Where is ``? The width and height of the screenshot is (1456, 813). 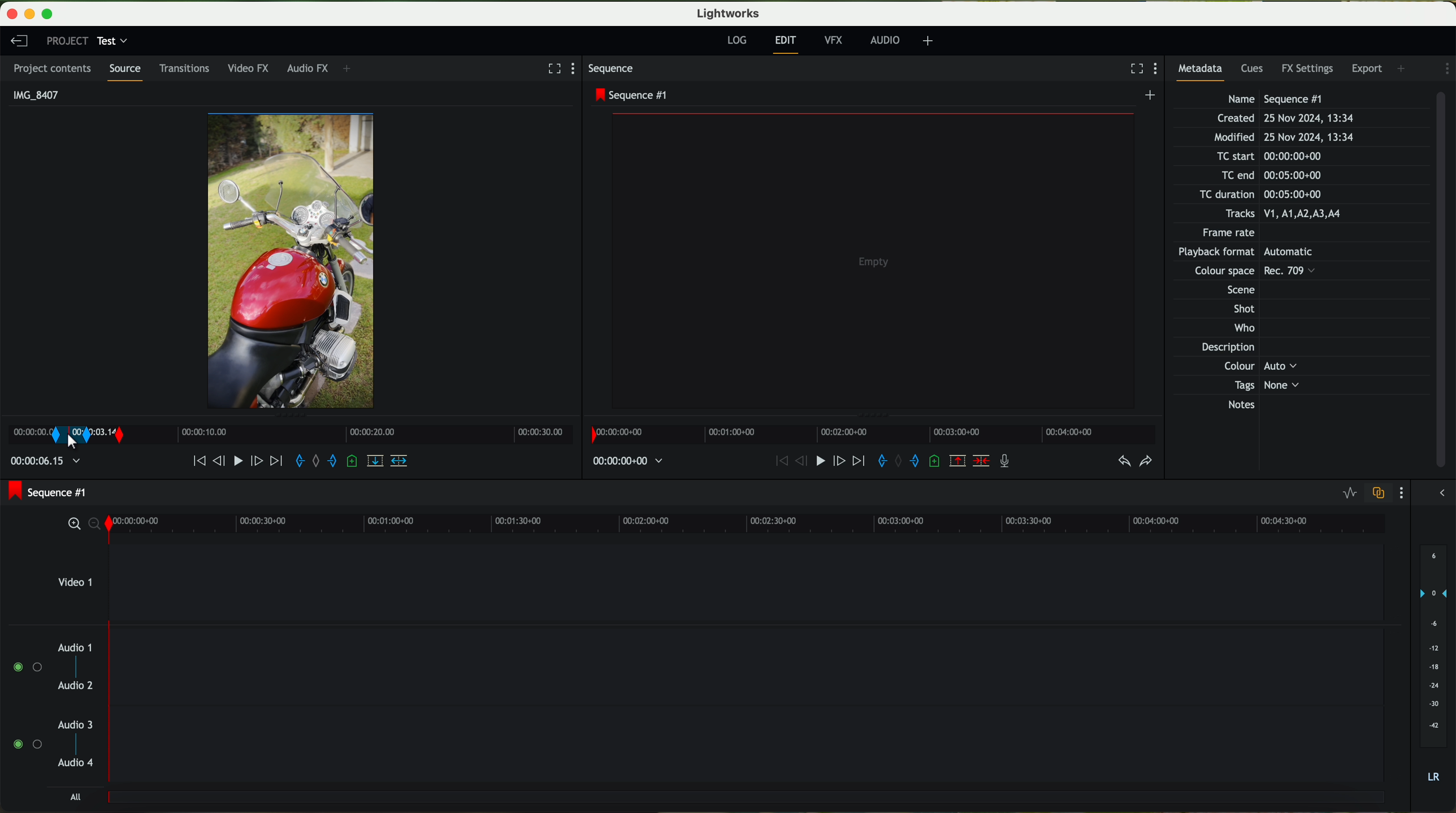
 is located at coordinates (1236, 288).